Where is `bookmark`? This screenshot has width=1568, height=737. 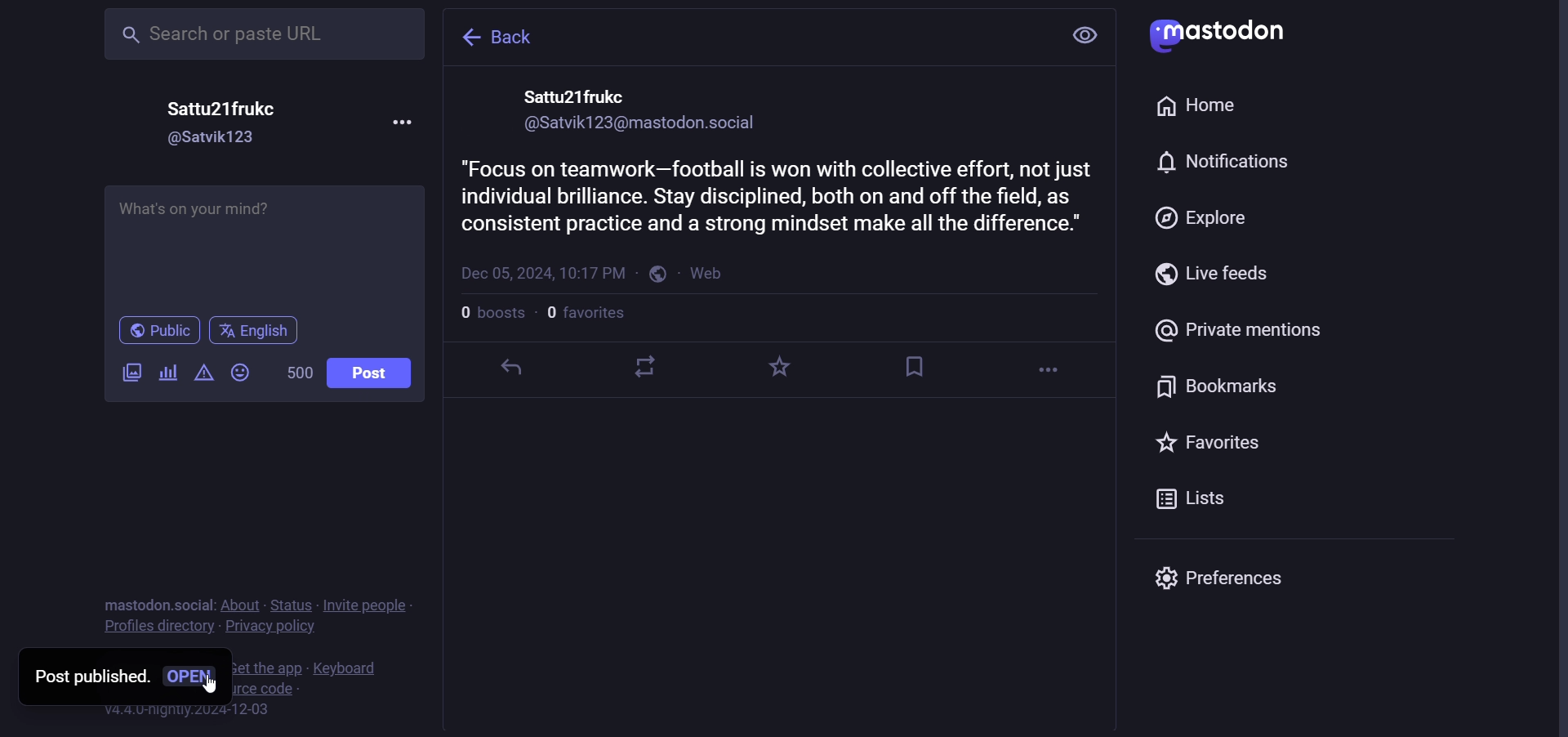 bookmark is located at coordinates (1208, 384).